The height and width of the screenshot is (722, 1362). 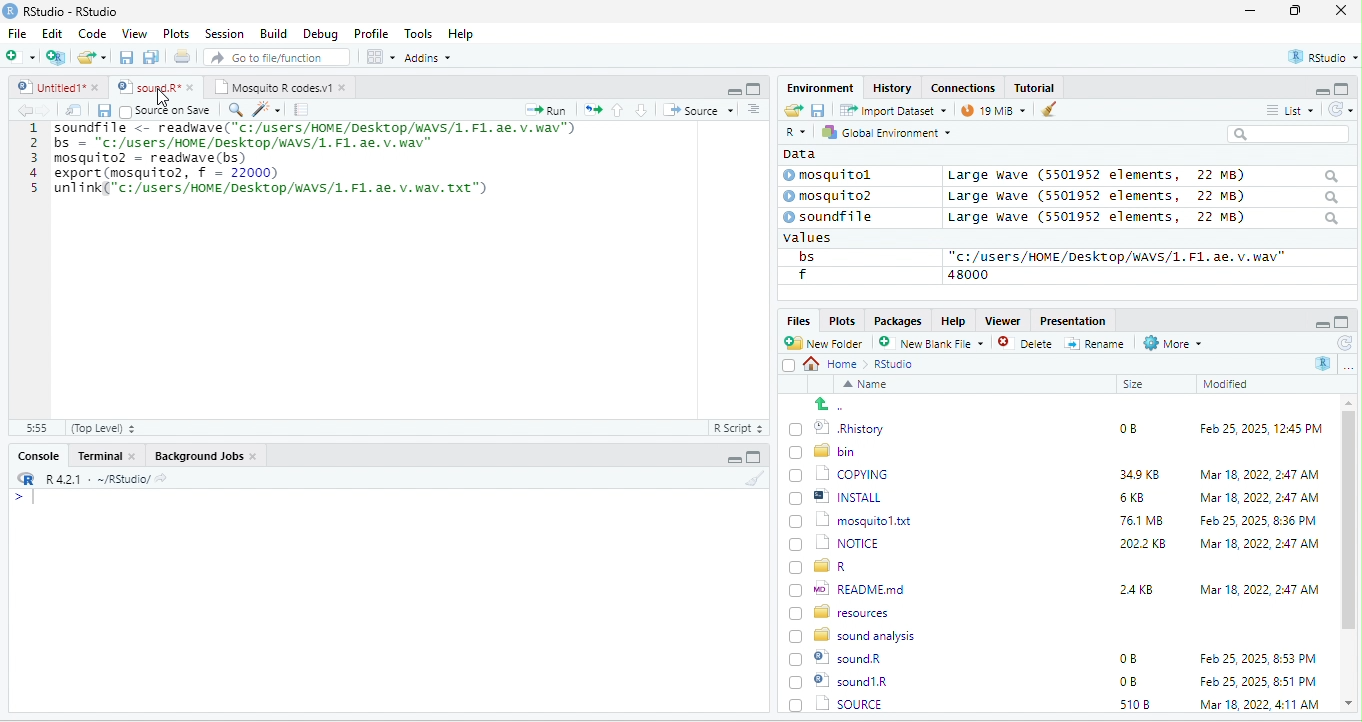 I want to click on minimize, so click(x=731, y=460).